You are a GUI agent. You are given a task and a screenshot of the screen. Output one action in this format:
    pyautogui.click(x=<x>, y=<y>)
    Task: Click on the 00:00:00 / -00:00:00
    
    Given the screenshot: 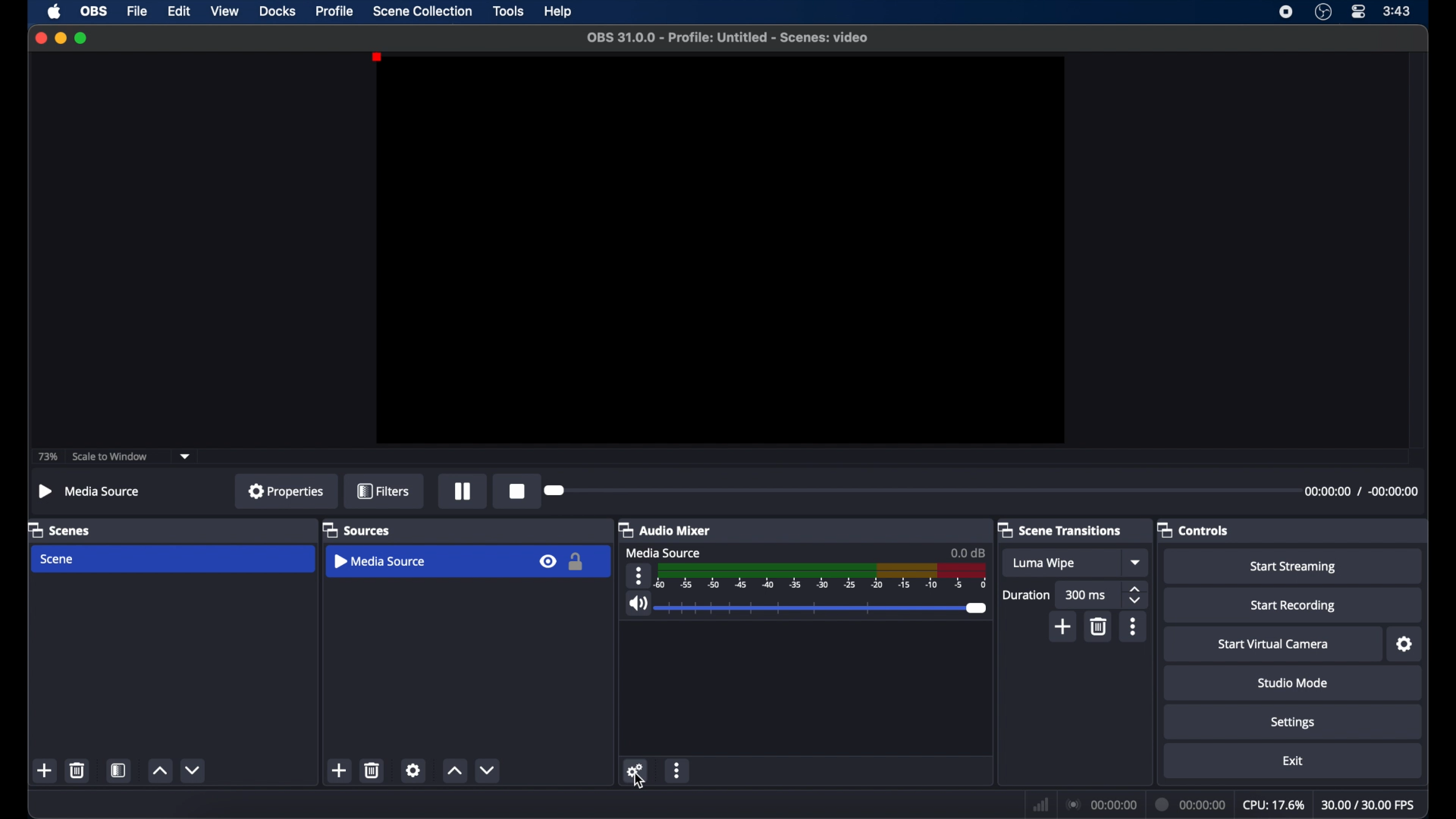 What is the action you would take?
    pyautogui.click(x=1363, y=491)
    